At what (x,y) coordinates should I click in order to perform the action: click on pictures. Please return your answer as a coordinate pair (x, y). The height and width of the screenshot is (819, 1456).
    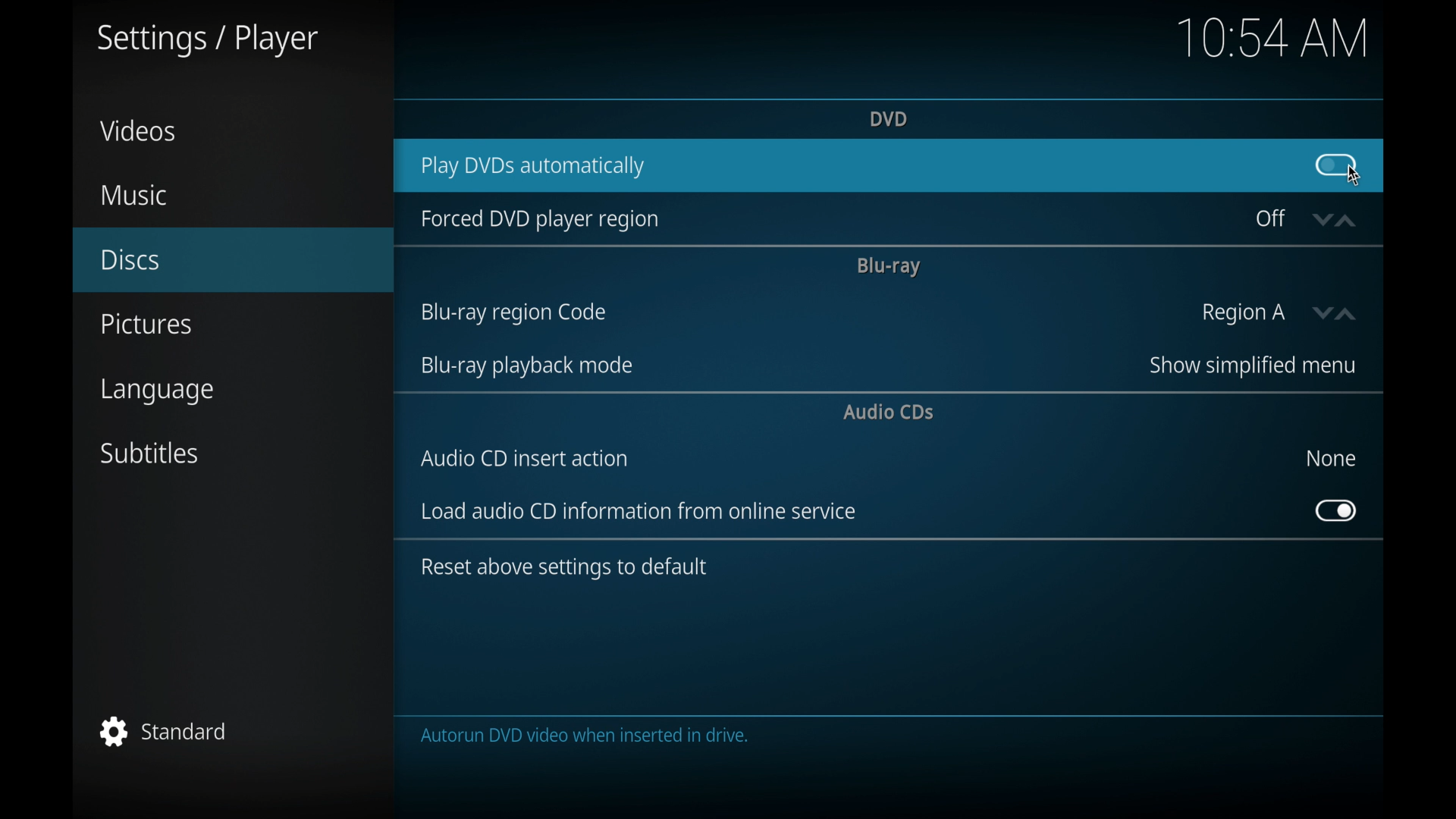
    Looking at the image, I should click on (146, 325).